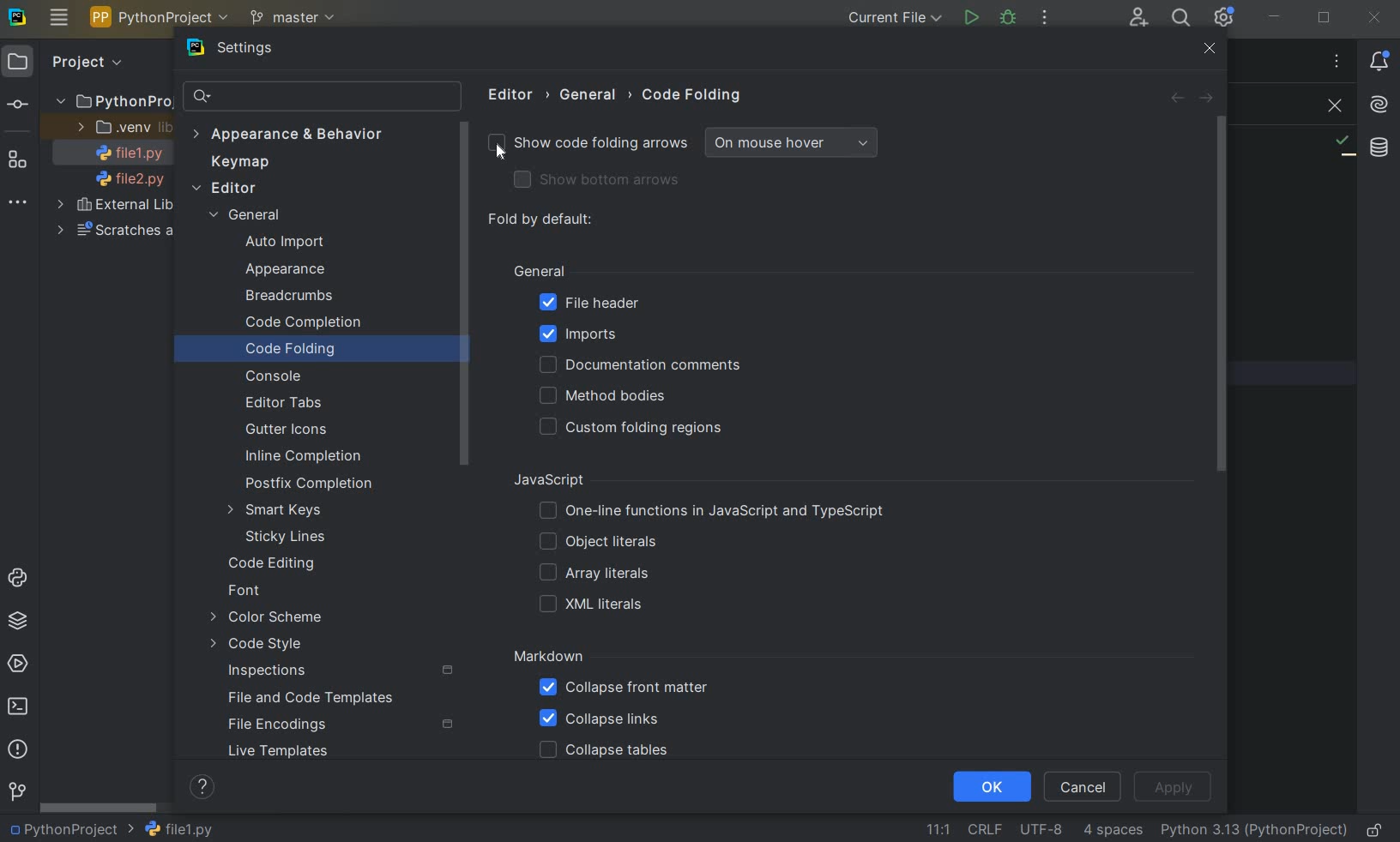 Image resolution: width=1400 pixels, height=842 pixels. Describe the element at coordinates (275, 564) in the screenshot. I see `CODE EDITING` at that location.